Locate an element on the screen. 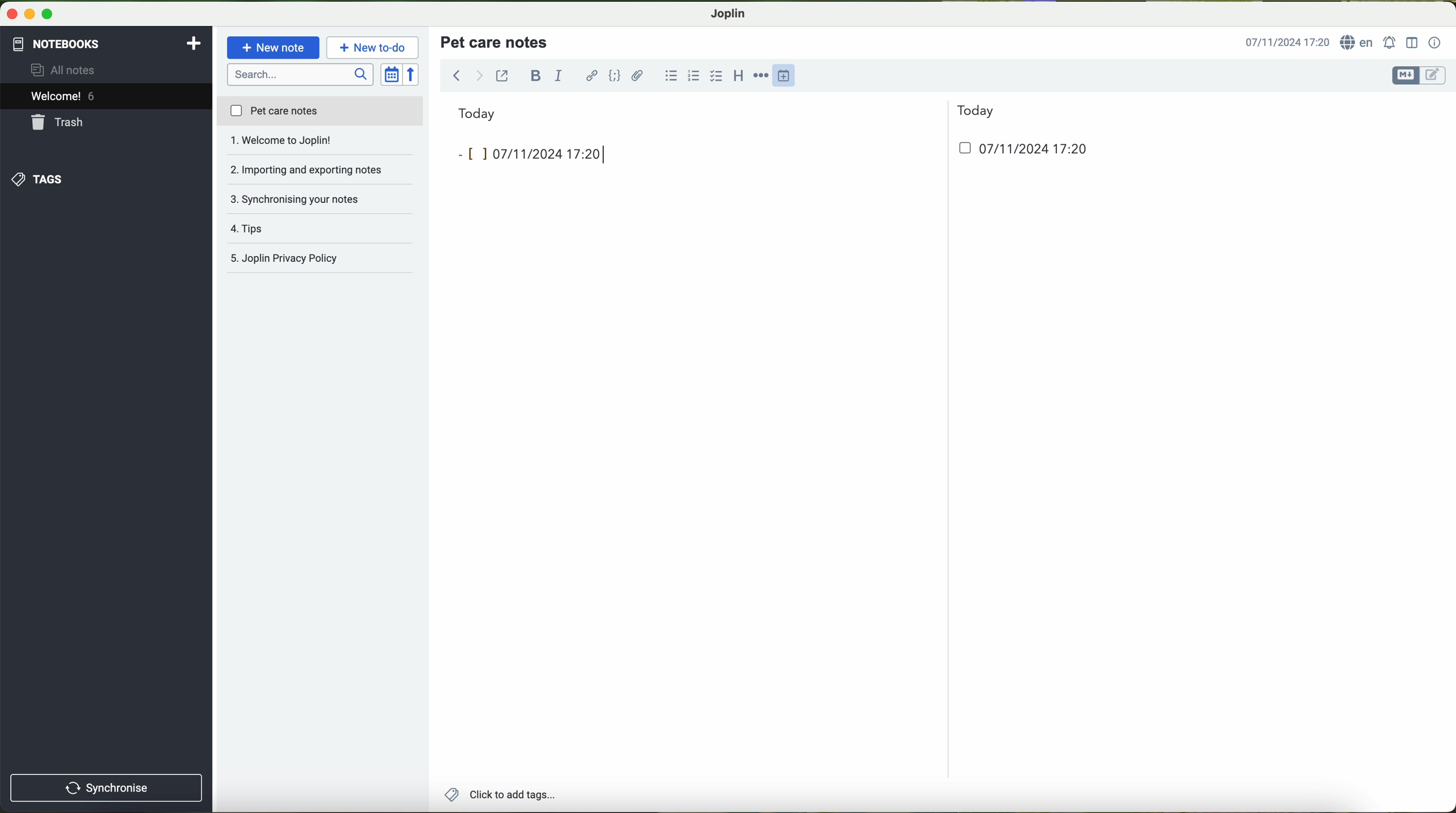 The image size is (1456, 813). toggle external editing is located at coordinates (502, 75).